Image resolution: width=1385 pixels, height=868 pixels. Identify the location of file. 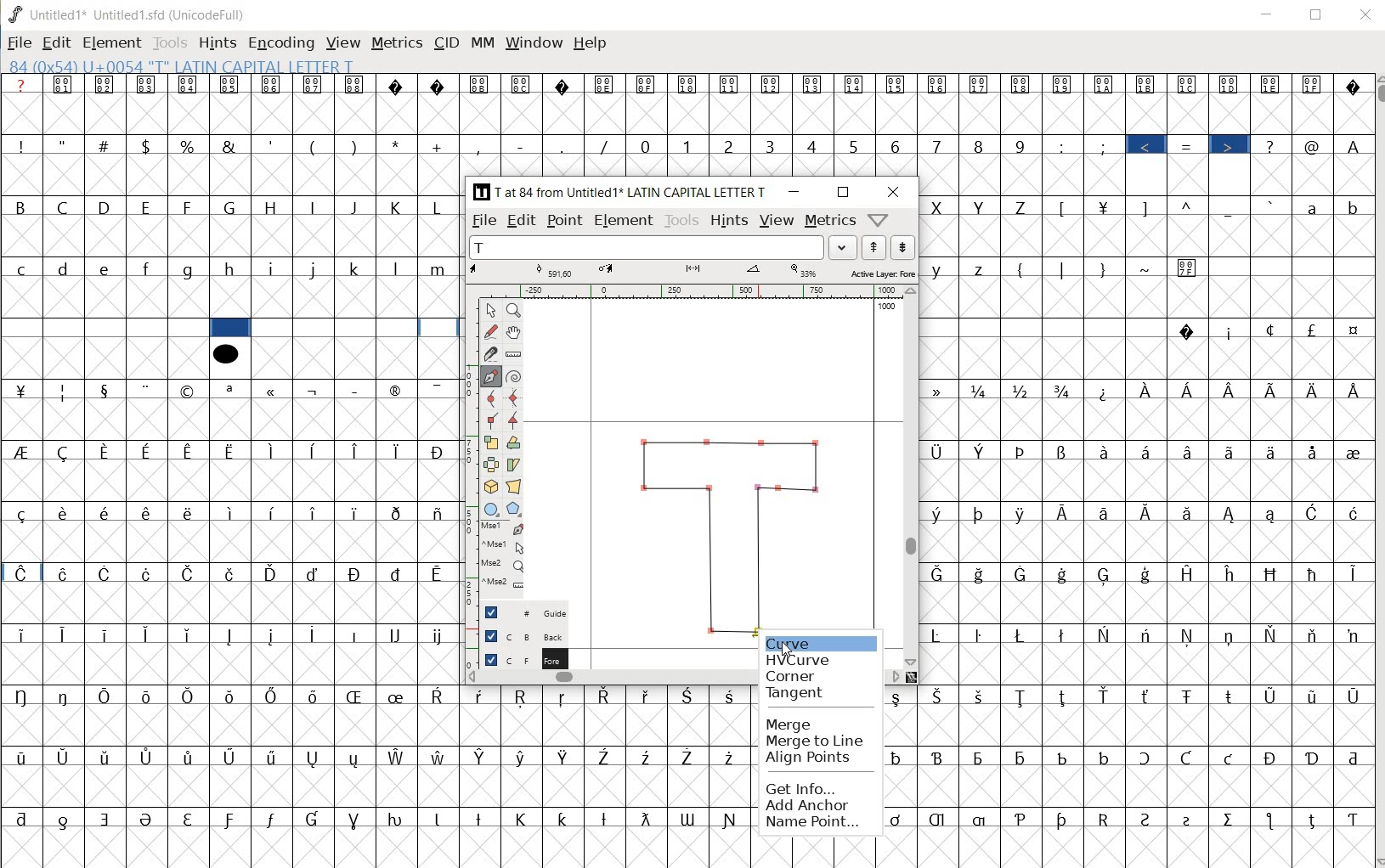
(485, 221).